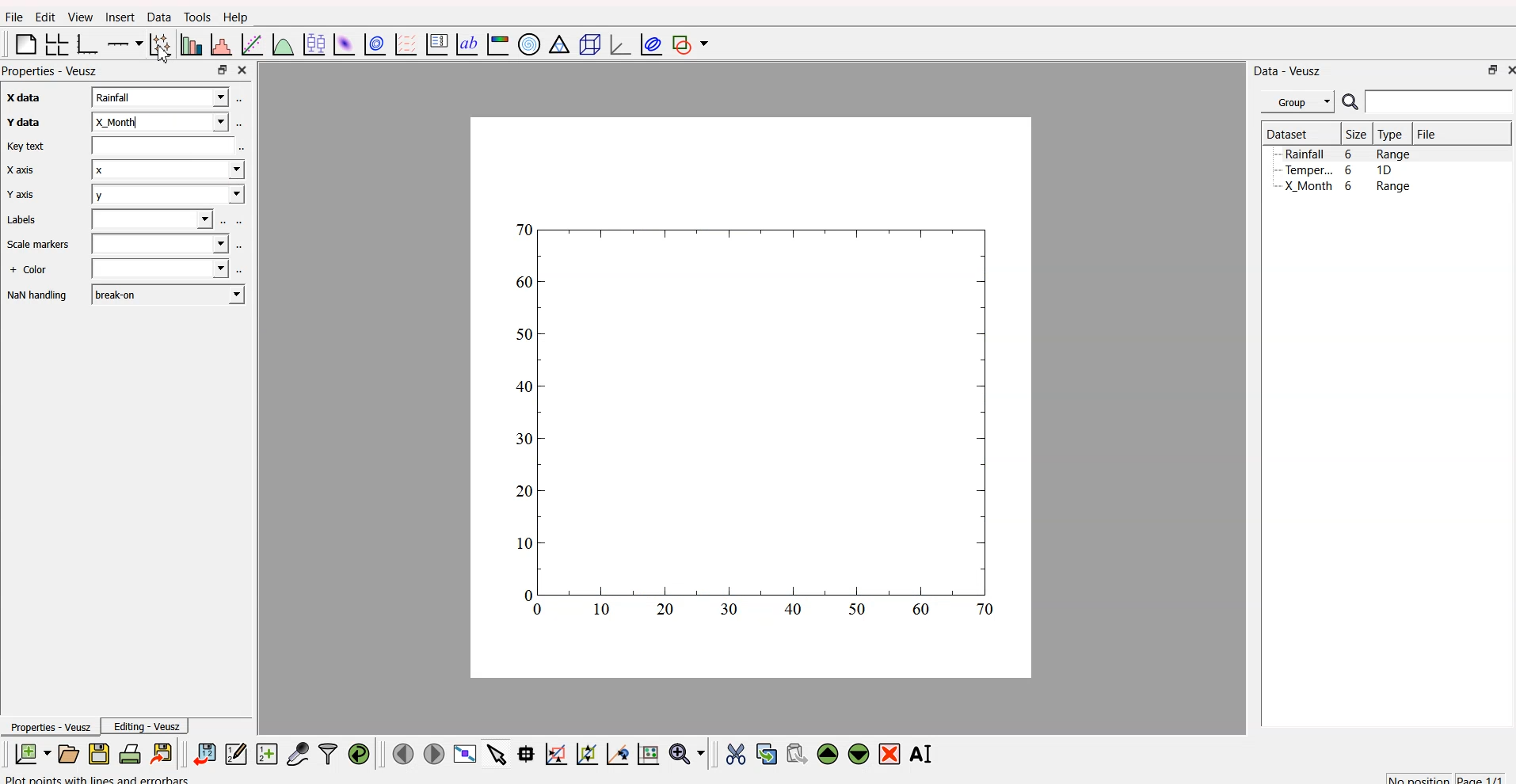  What do you see at coordinates (167, 56) in the screenshot?
I see `cursor` at bounding box center [167, 56].